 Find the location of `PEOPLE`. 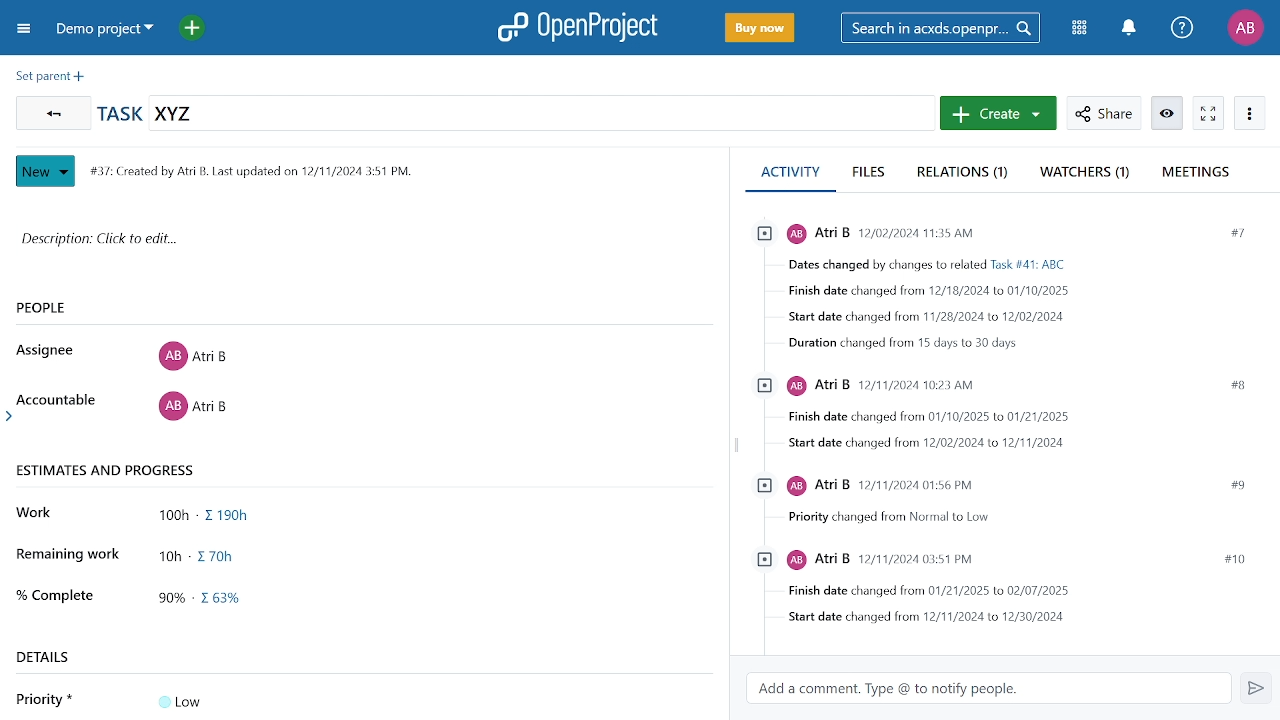

PEOPLE is located at coordinates (50, 310).